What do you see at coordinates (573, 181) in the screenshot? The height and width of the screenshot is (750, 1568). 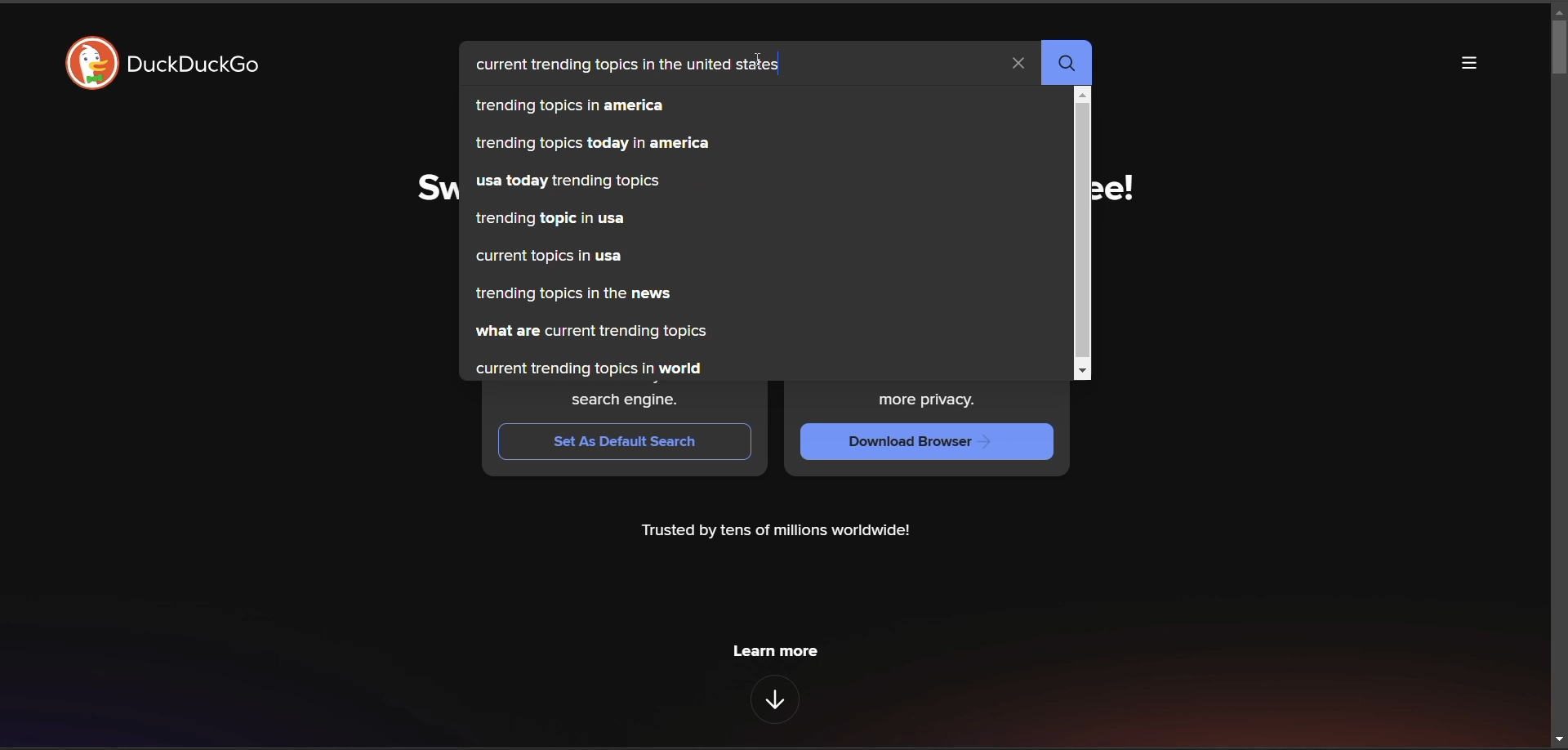 I see `usa today trending topics` at bounding box center [573, 181].